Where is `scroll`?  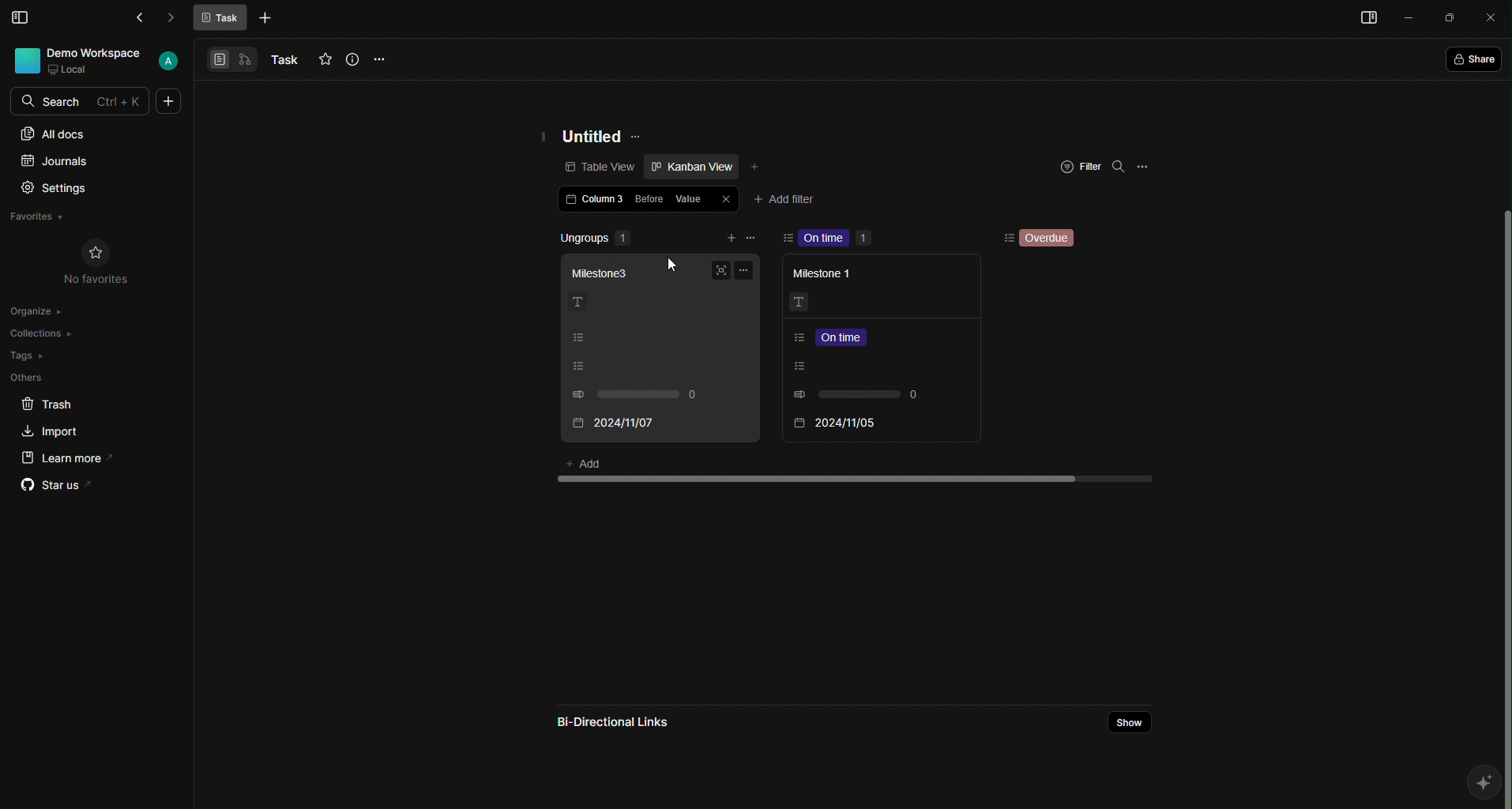
scroll is located at coordinates (859, 478).